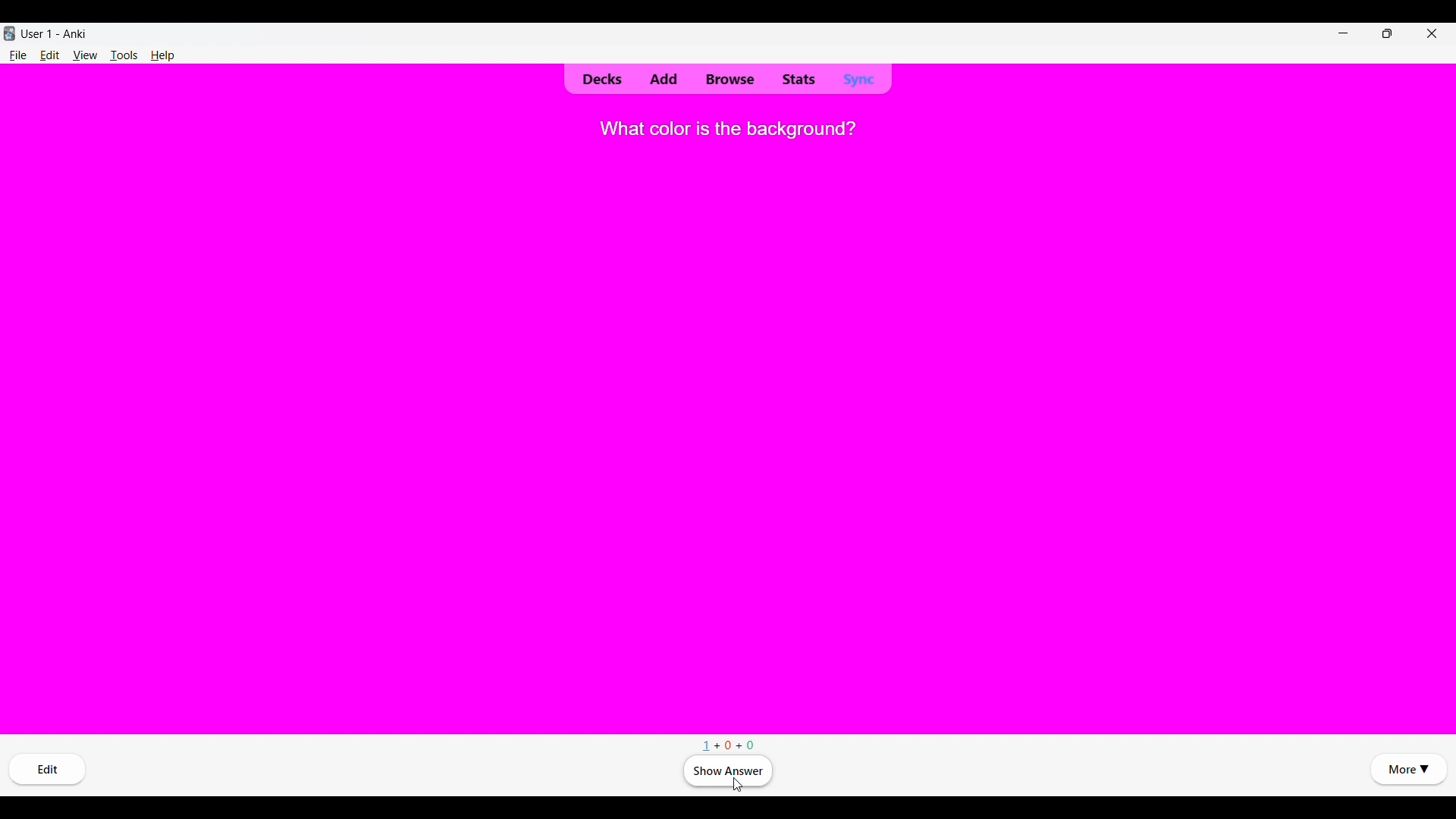 This screenshot has width=1456, height=819. I want to click on Sync, so click(859, 78).